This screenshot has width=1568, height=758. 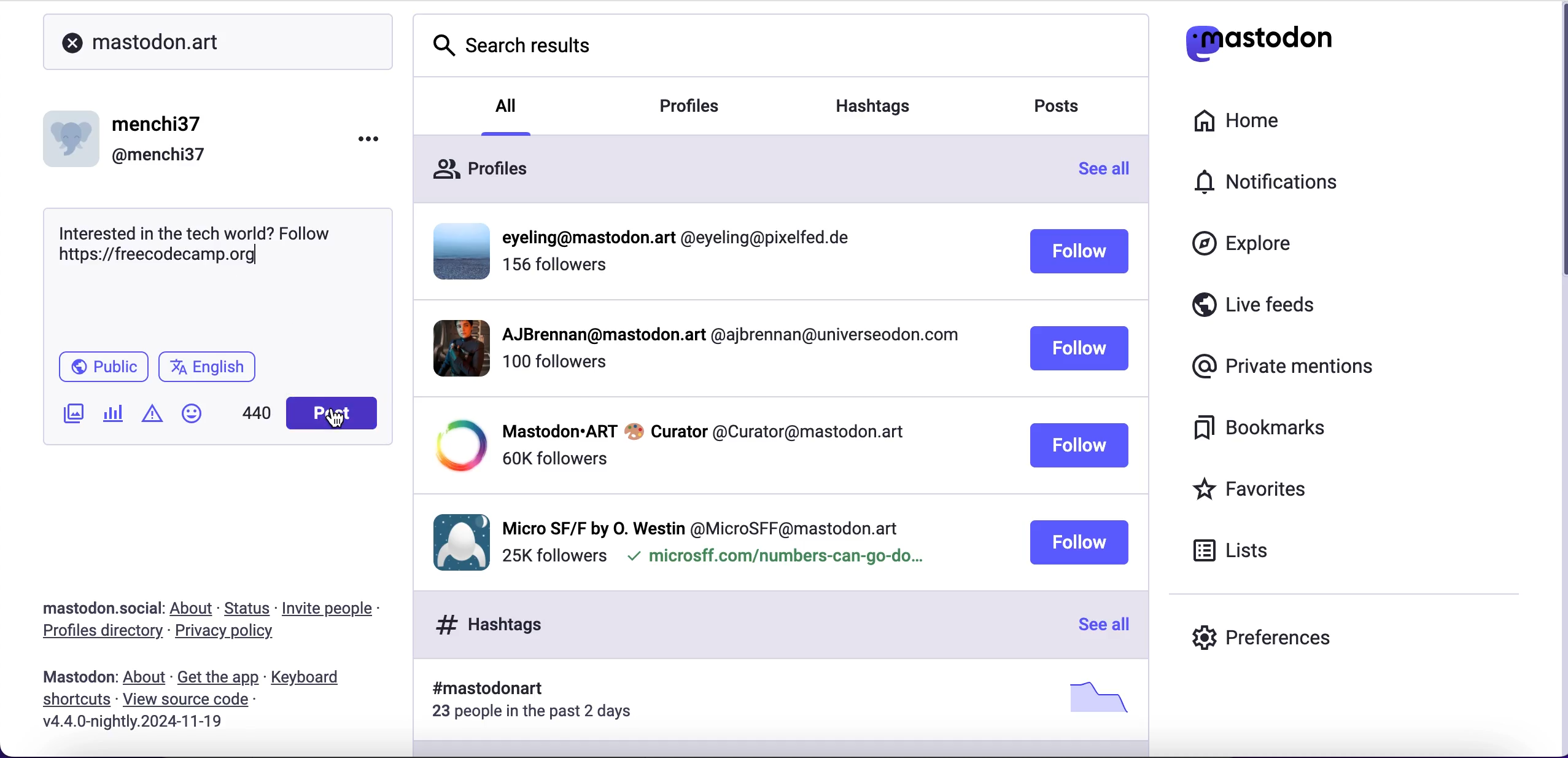 I want to click on explore, so click(x=1241, y=244).